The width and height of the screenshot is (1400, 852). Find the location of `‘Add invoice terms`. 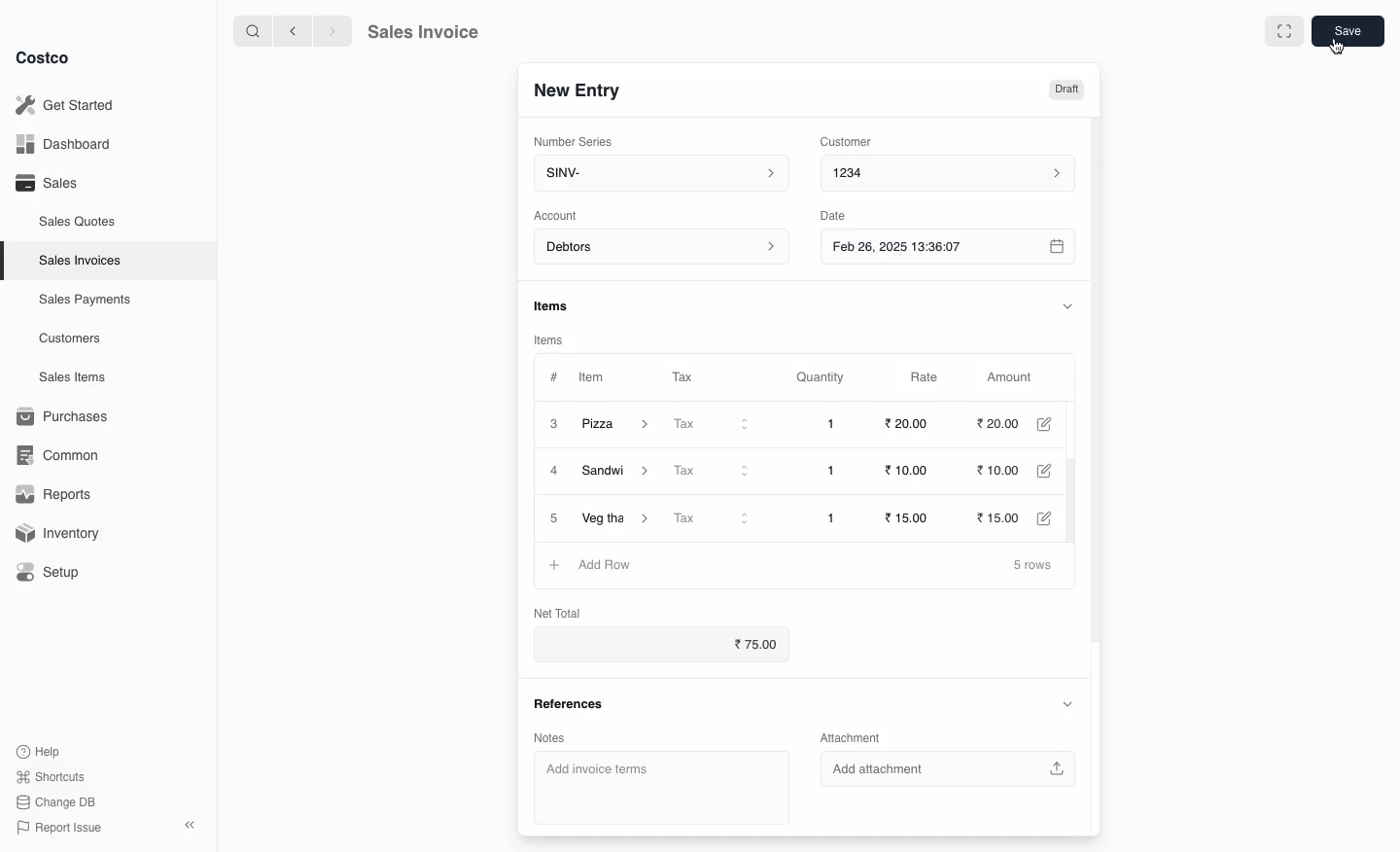

‘Add invoice terms is located at coordinates (654, 787).